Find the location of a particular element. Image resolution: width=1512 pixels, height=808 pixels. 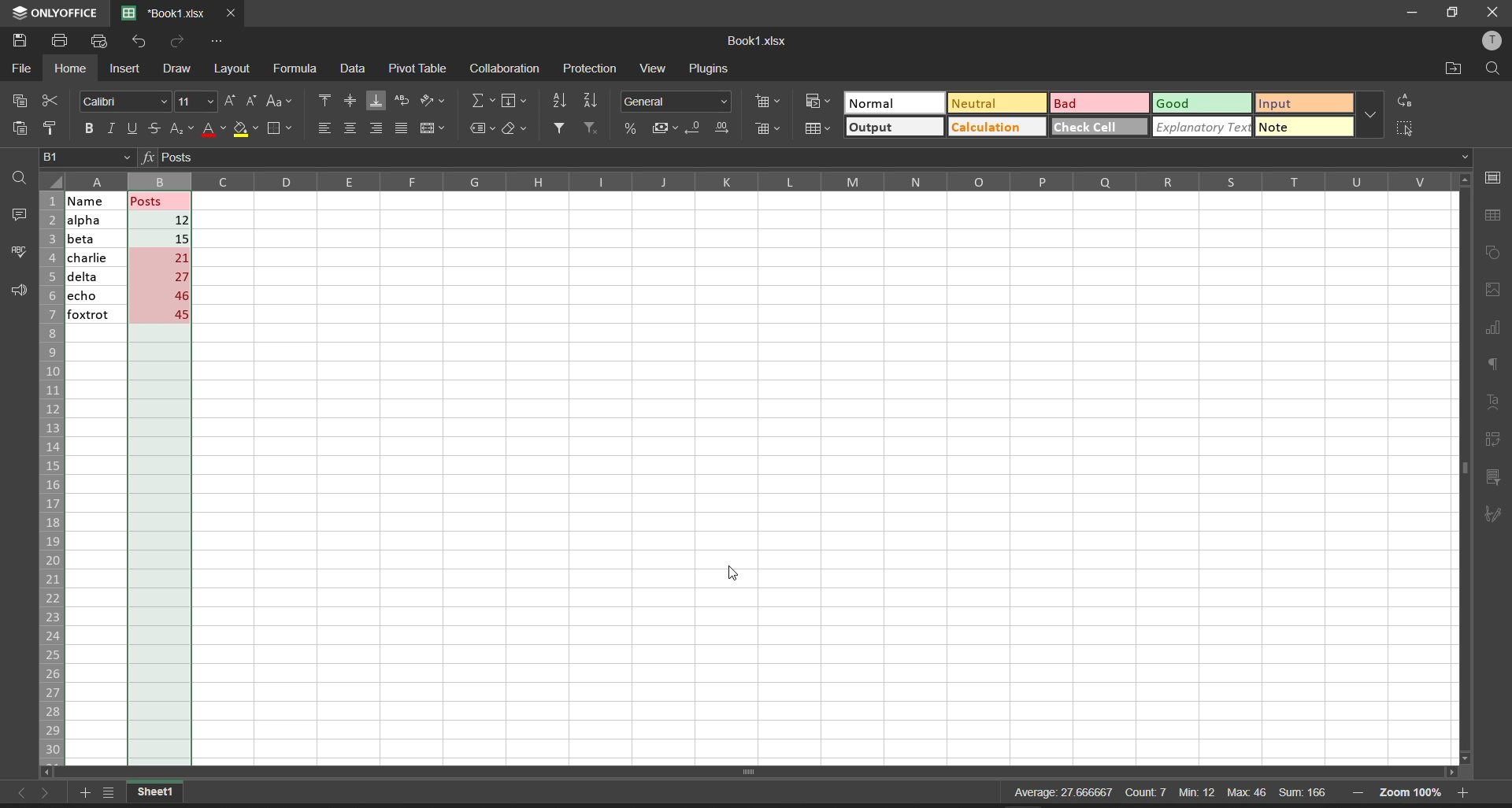

note is located at coordinates (1278, 127).